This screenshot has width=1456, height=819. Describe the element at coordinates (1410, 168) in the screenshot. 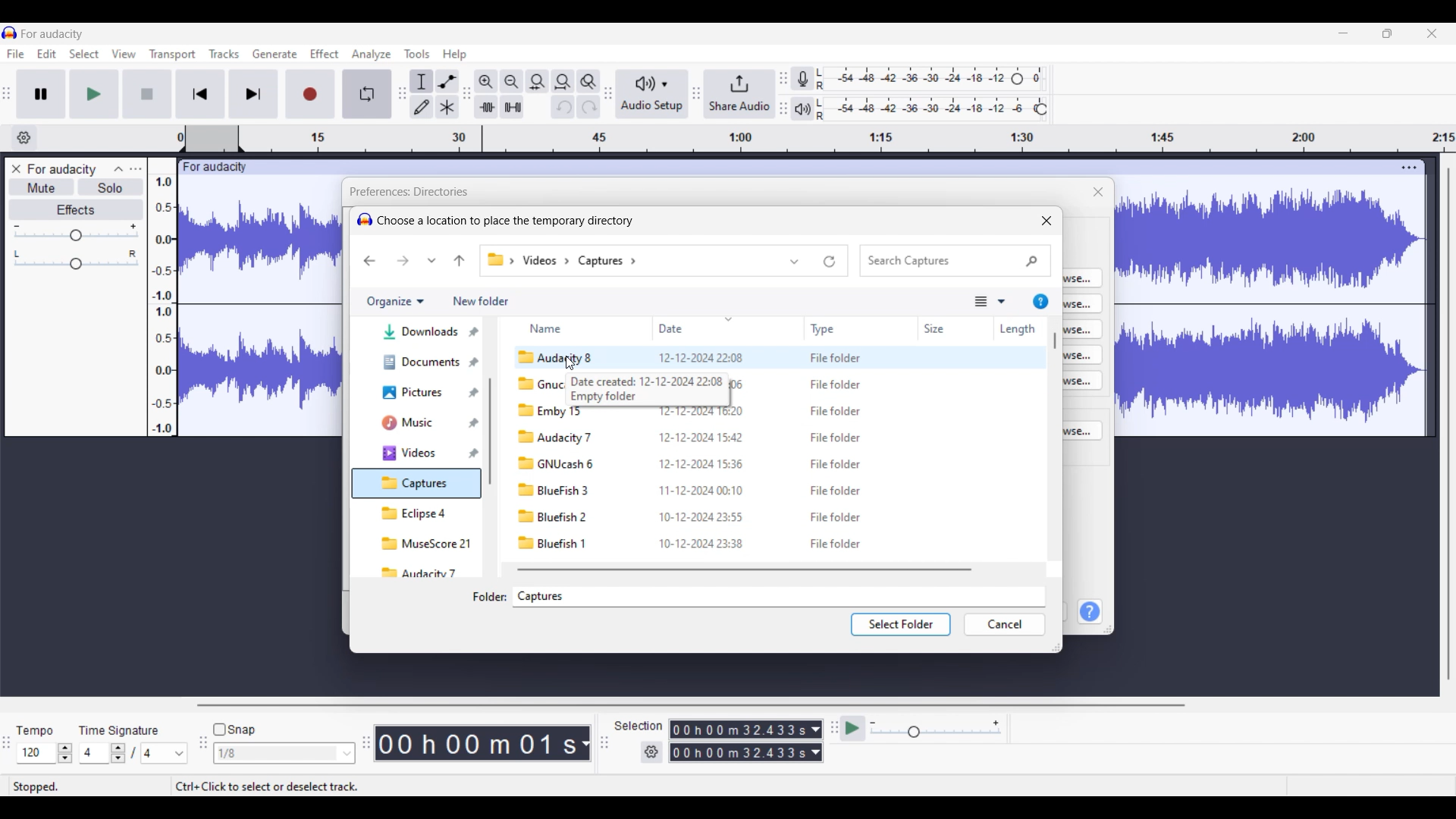

I see `Track settings ` at that location.